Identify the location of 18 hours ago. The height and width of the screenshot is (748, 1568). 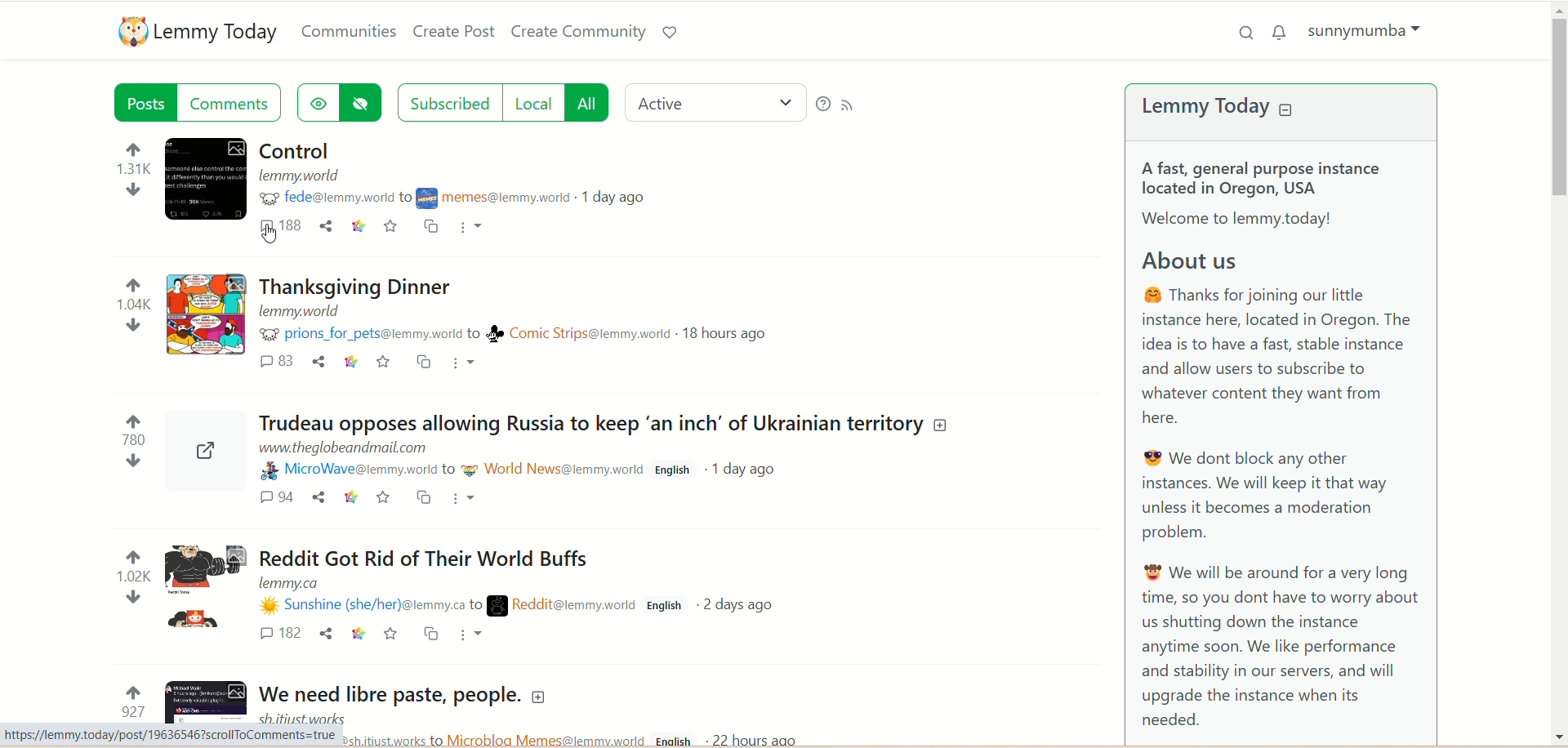
(724, 331).